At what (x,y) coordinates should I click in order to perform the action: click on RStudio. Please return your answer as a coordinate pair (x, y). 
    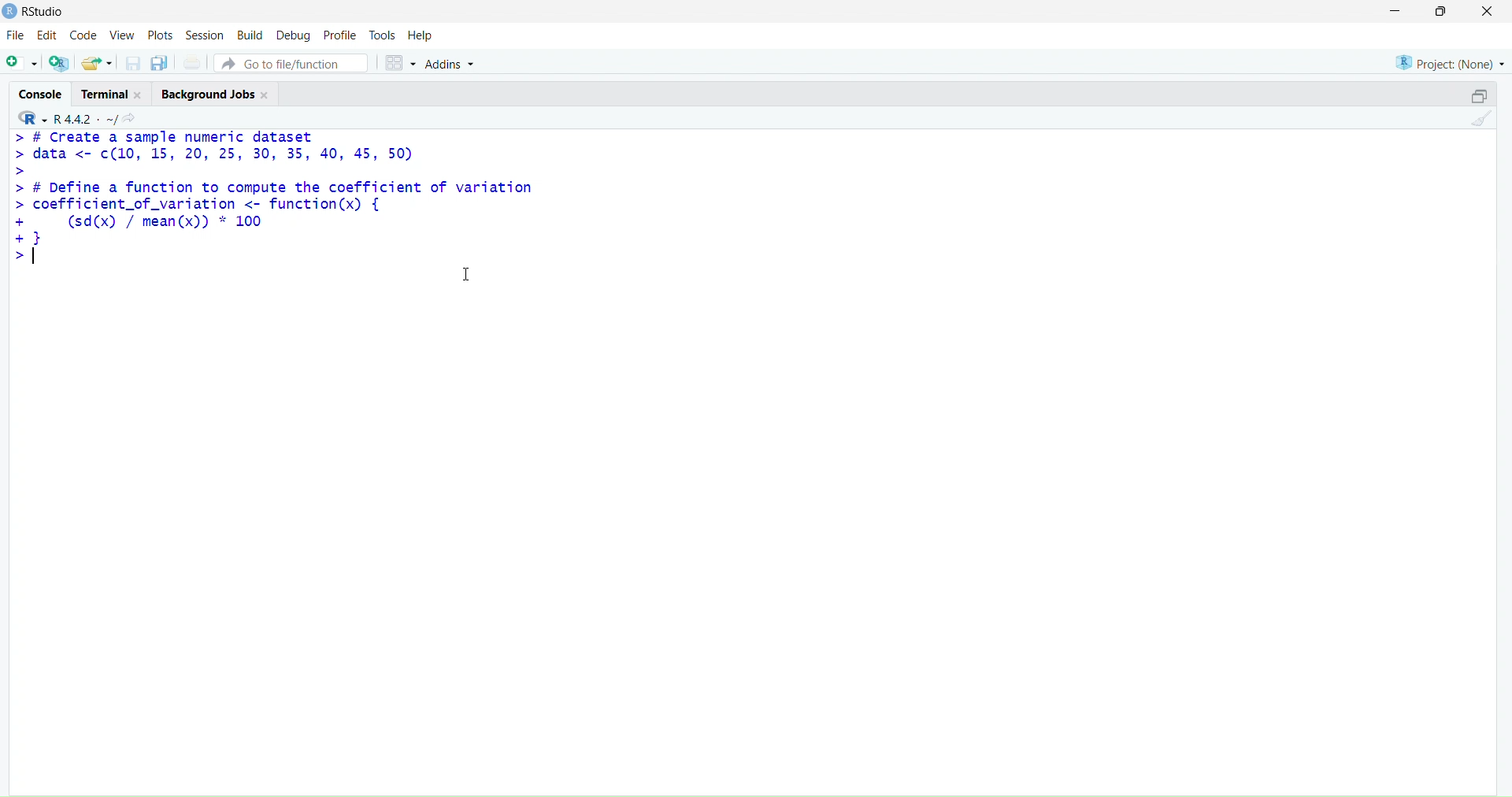
    Looking at the image, I should click on (46, 11).